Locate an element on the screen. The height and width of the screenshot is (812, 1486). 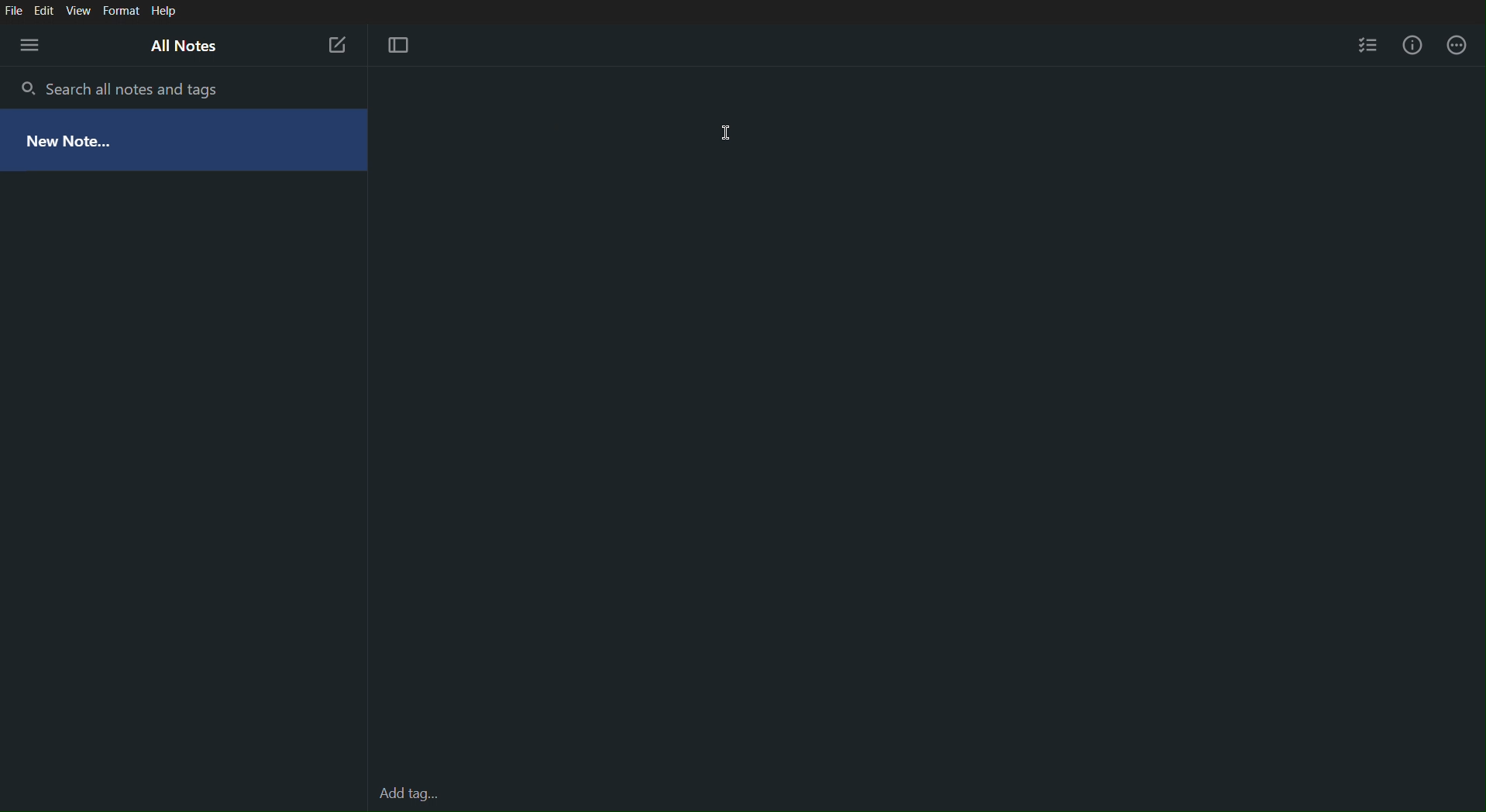
All Notes is located at coordinates (182, 45).